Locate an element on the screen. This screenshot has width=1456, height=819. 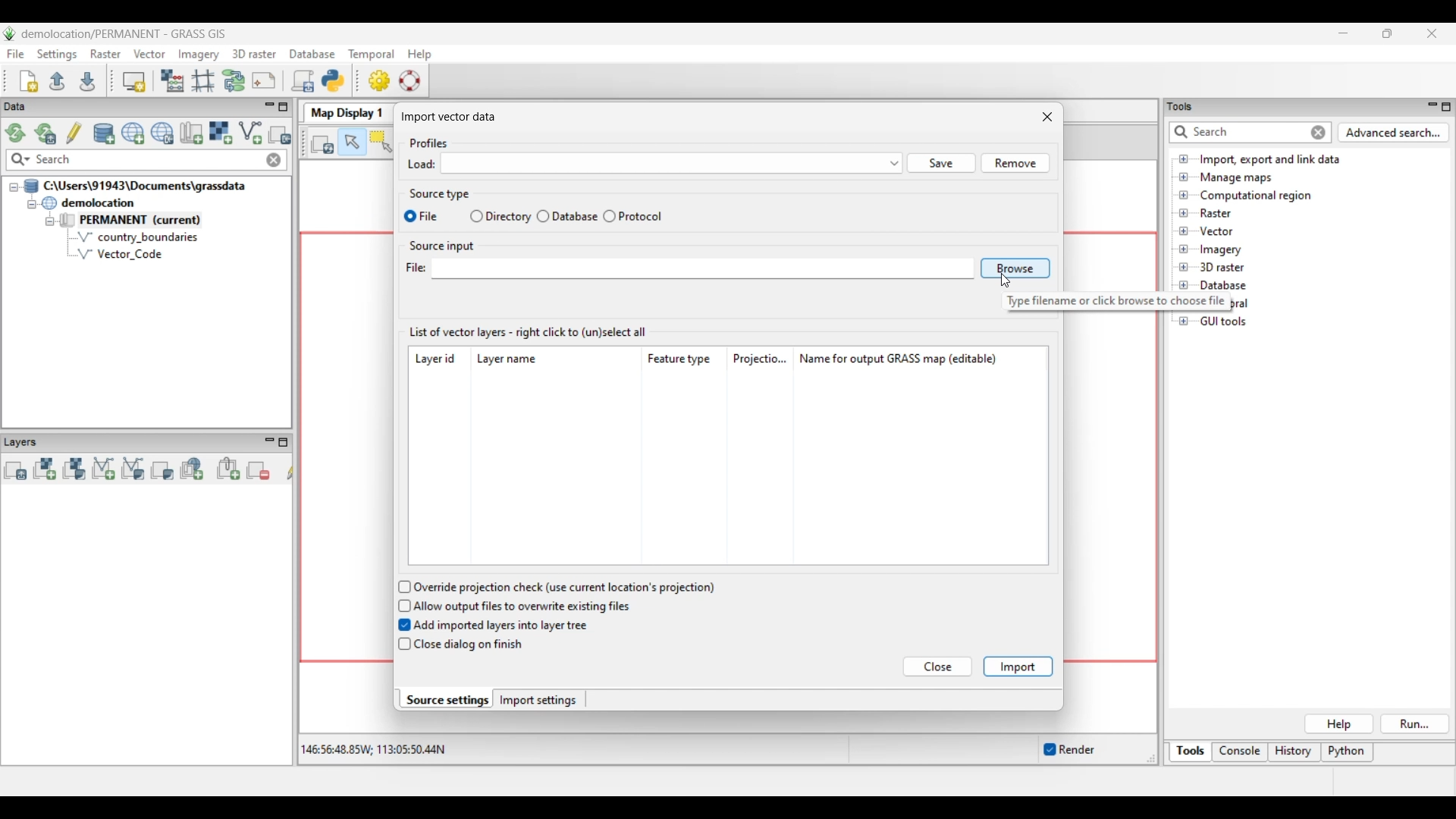
Click to open GUI tools is located at coordinates (1184, 322).